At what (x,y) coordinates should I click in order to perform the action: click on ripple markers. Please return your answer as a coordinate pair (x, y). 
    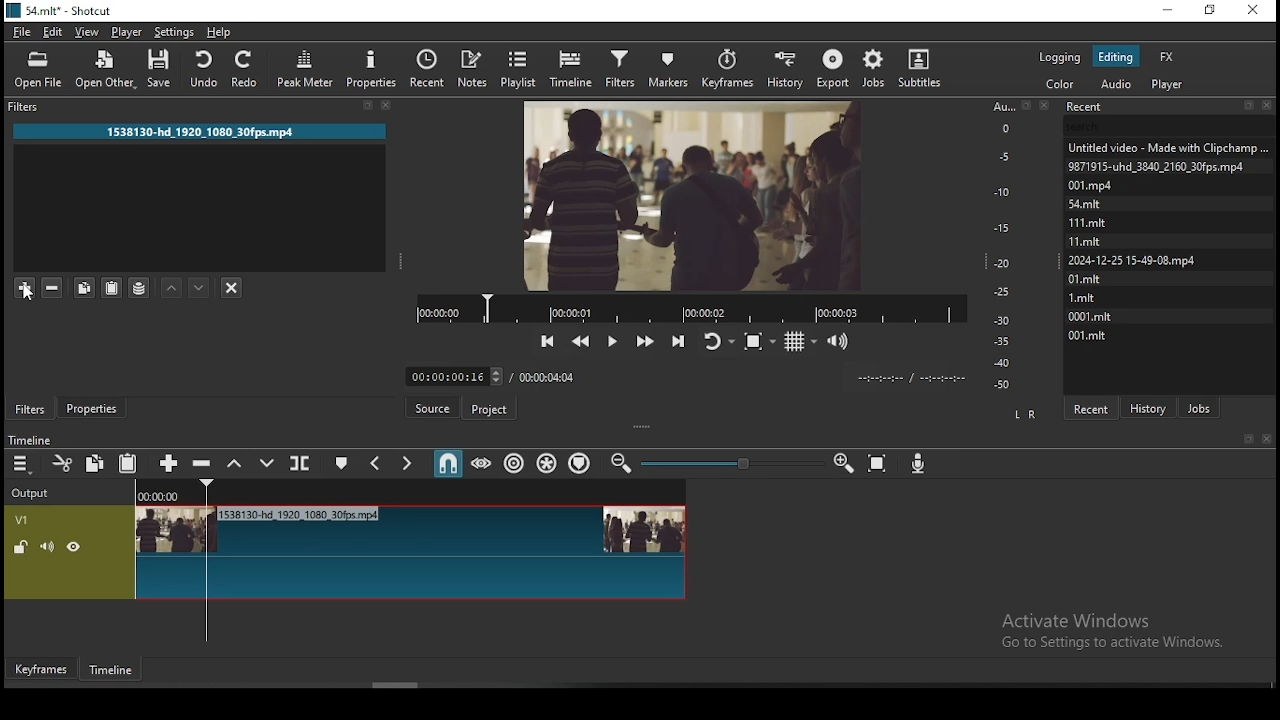
    Looking at the image, I should click on (581, 462).